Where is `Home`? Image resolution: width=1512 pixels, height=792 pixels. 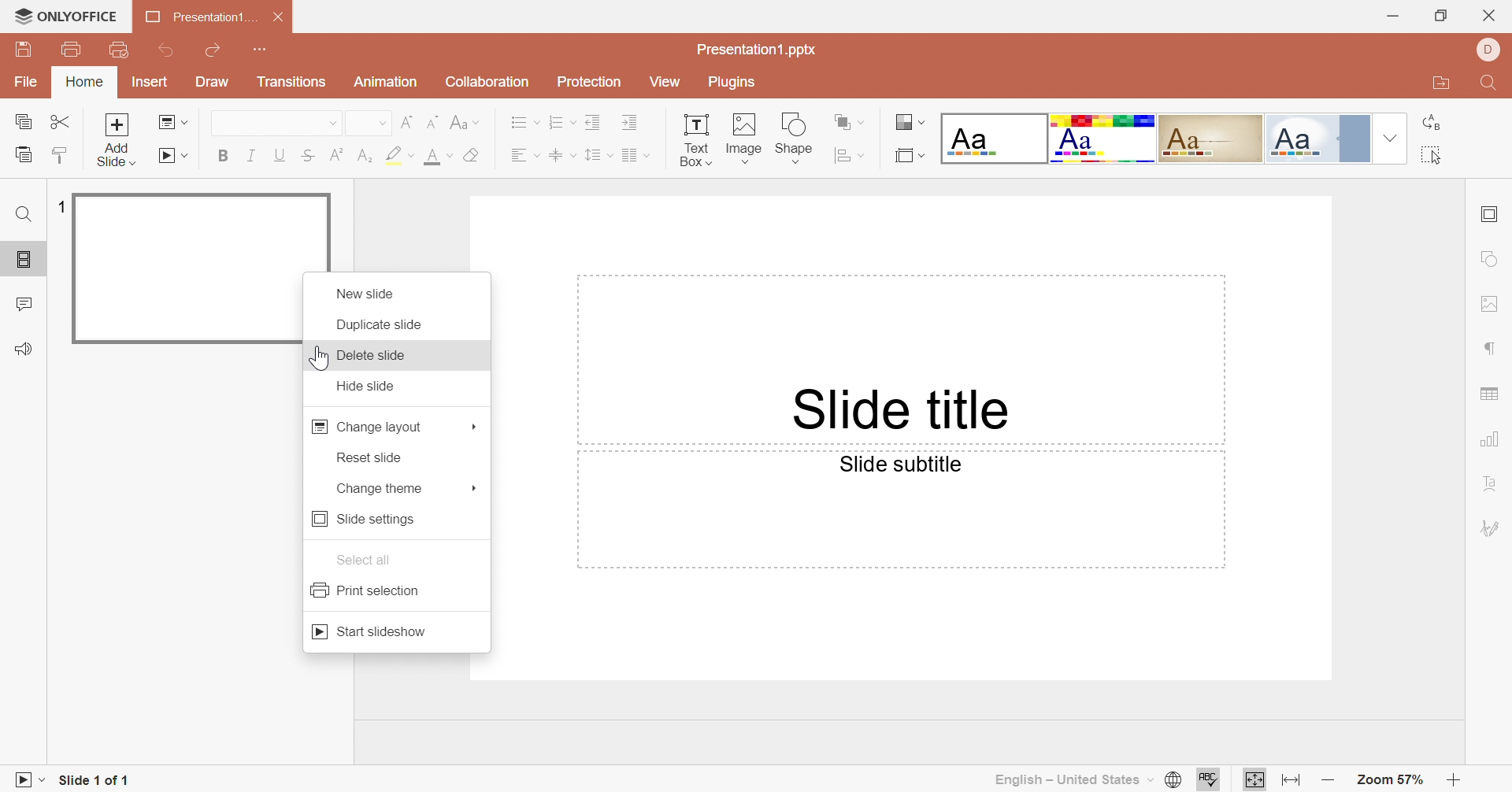 Home is located at coordinates (84, 81).